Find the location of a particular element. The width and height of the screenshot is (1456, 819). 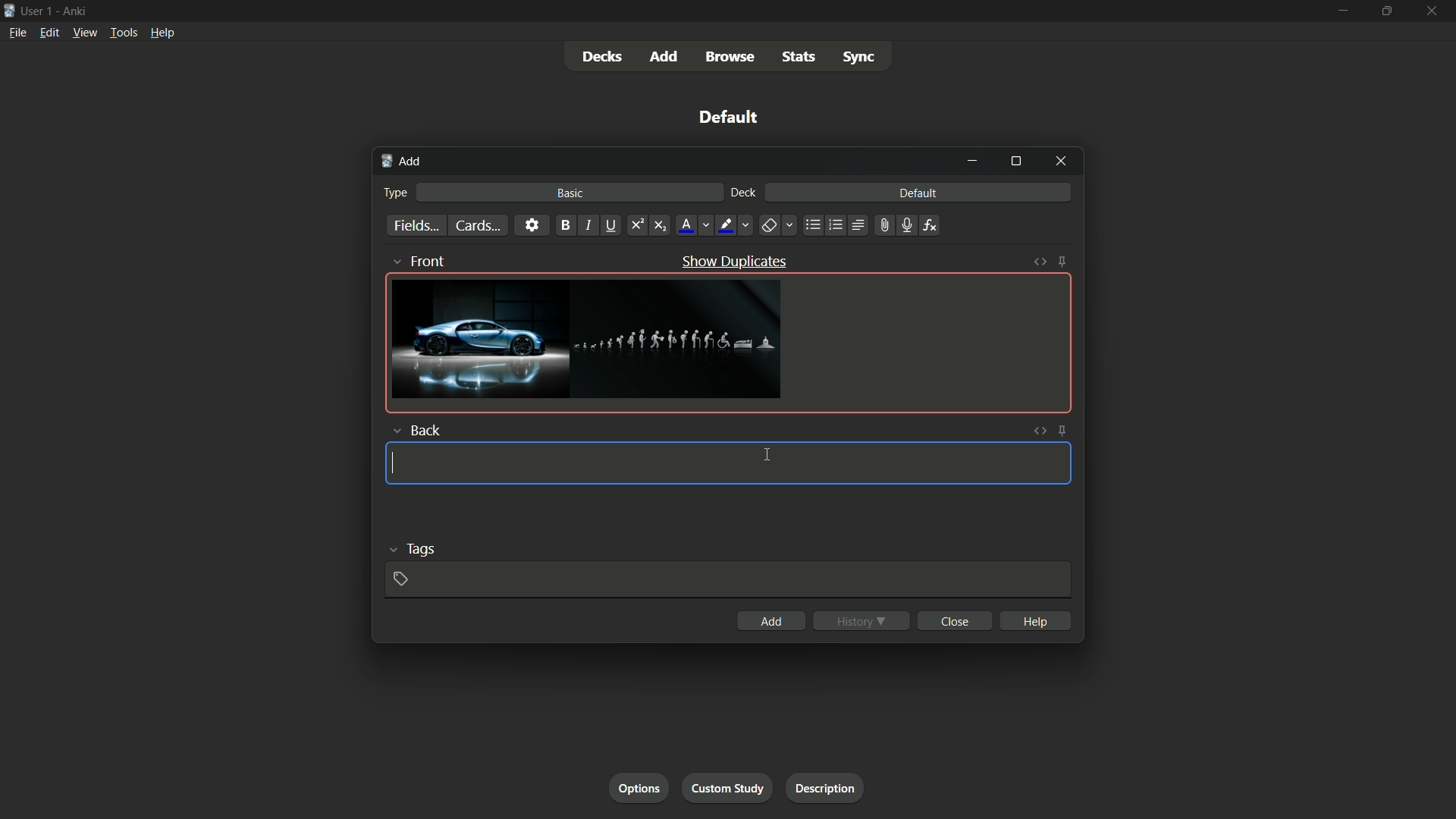

app name is located at coordinates (77, 9).